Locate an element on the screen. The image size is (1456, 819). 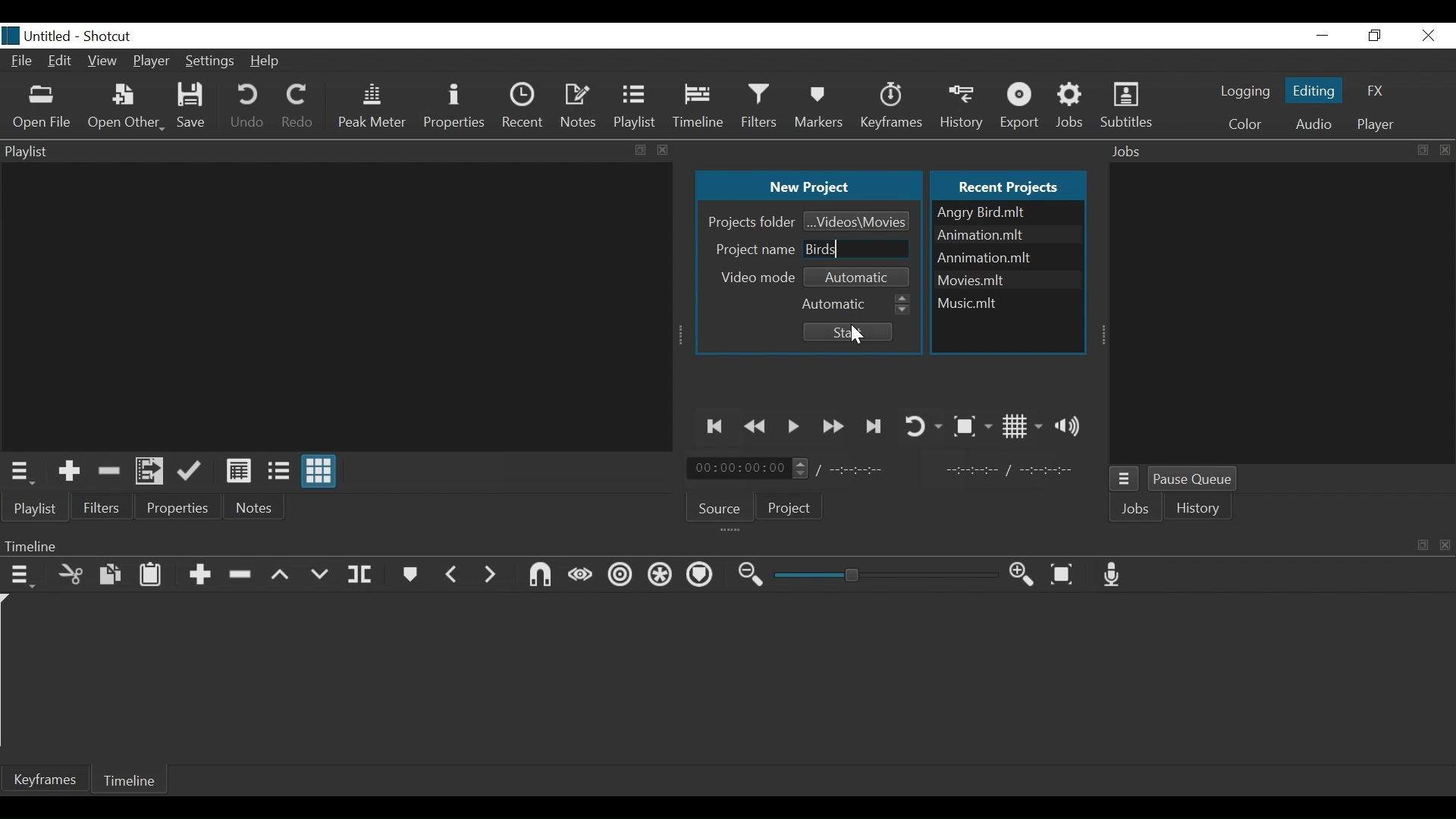
Settings is located at coordinates (208, 63).